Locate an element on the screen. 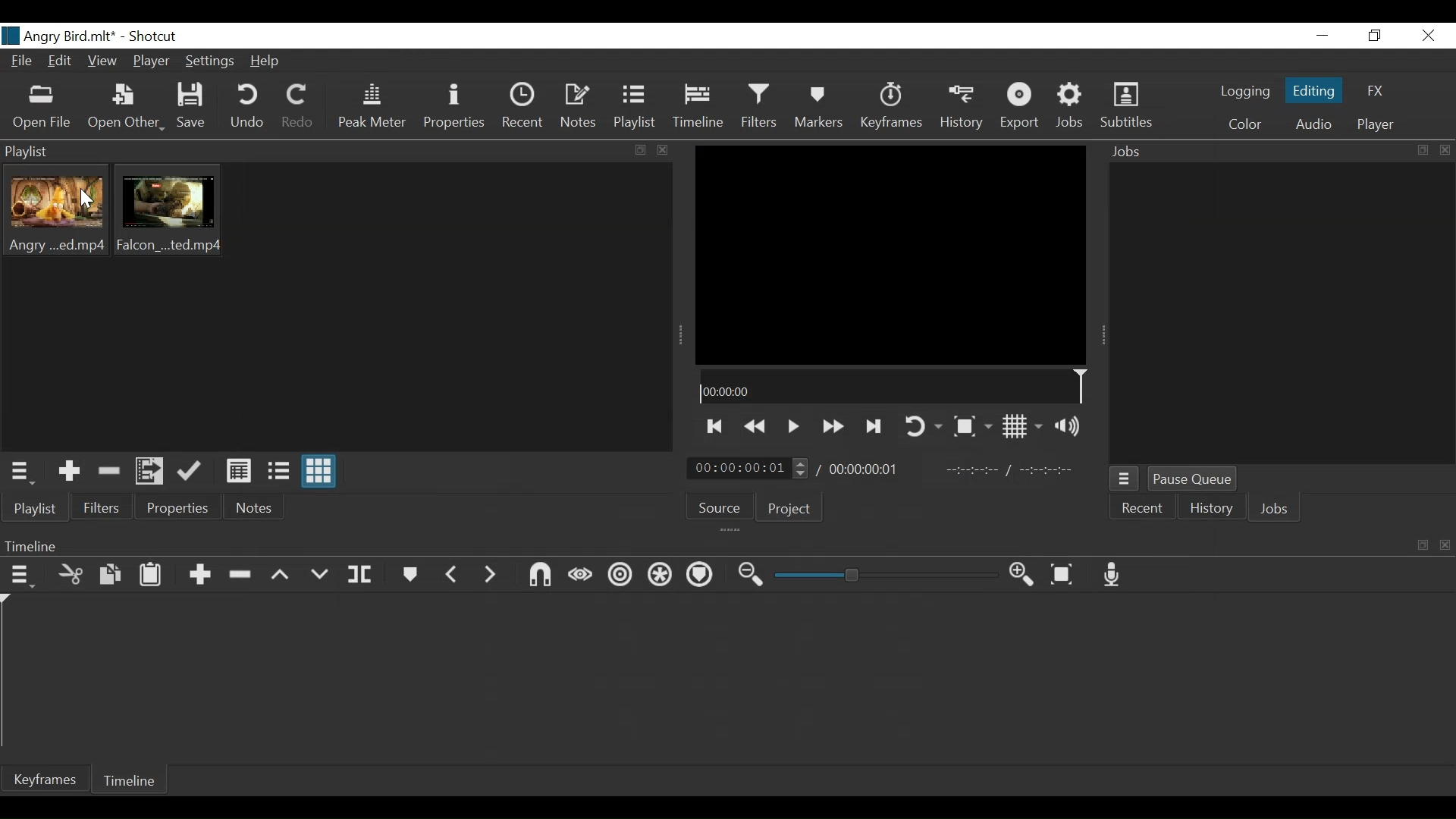  Lift is located at coordinates (280, 575).